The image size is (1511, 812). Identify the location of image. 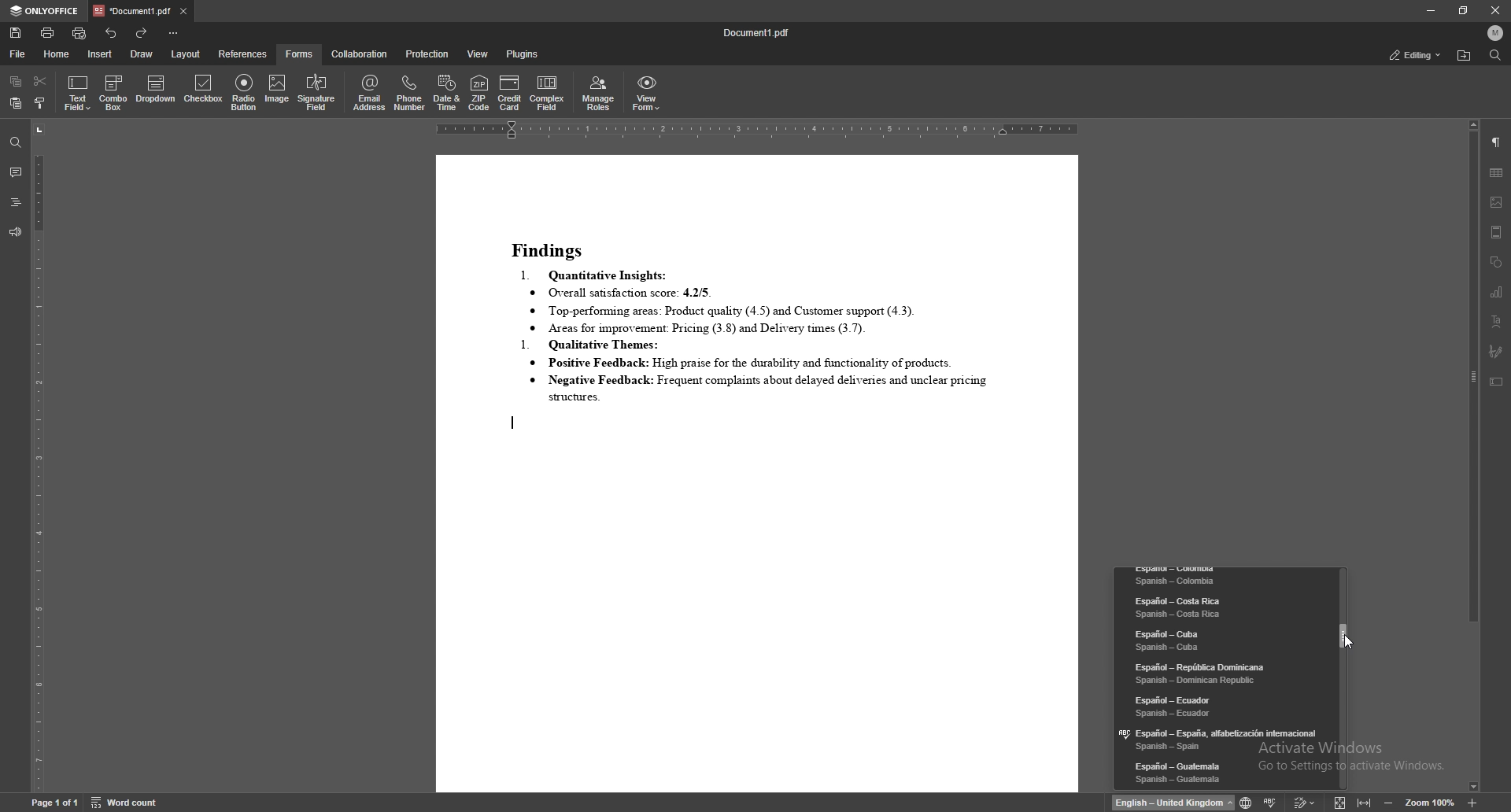
(1497, 202).